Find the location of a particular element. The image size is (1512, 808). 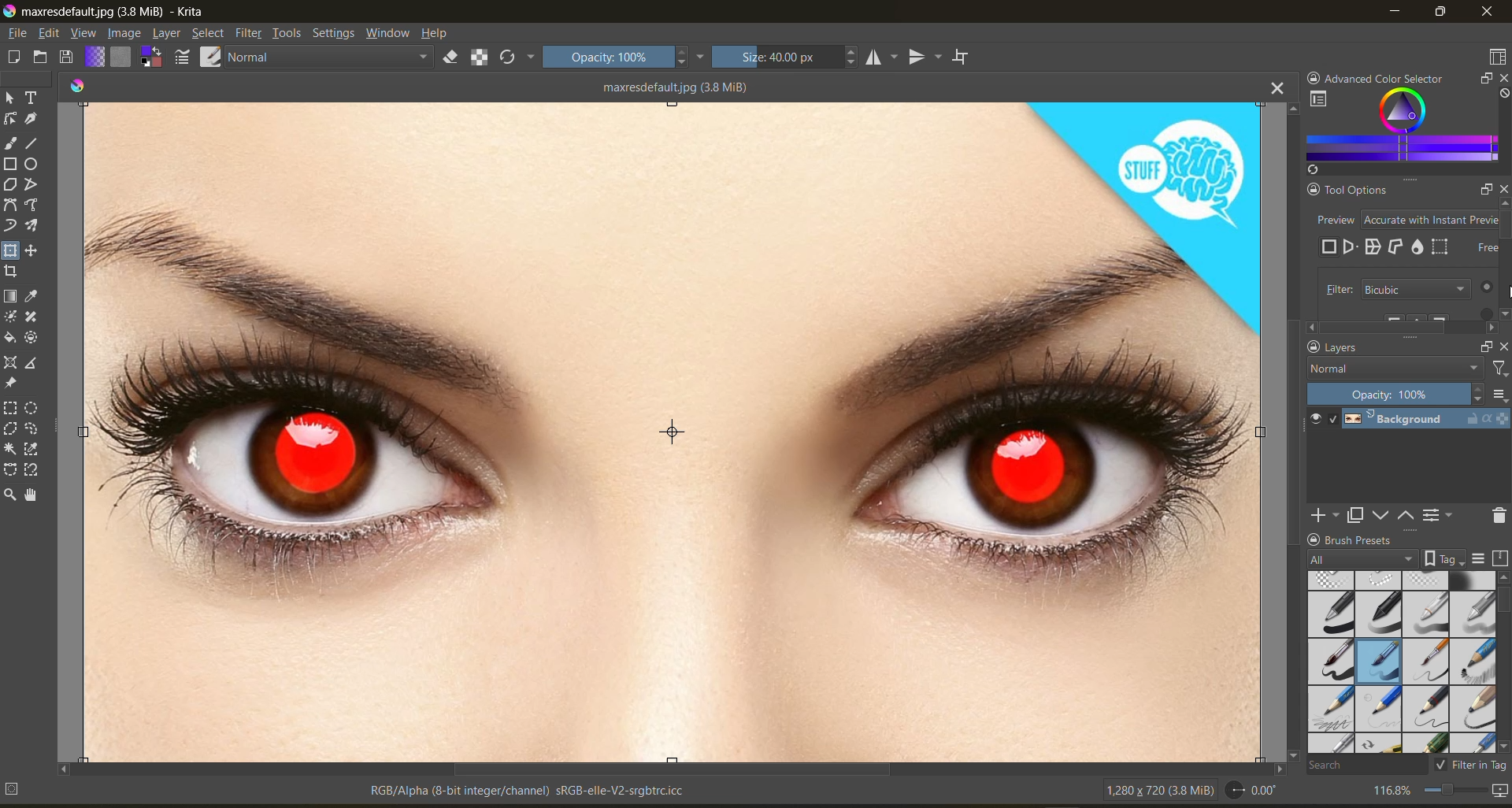

tool is located at coordinates (31, 120).